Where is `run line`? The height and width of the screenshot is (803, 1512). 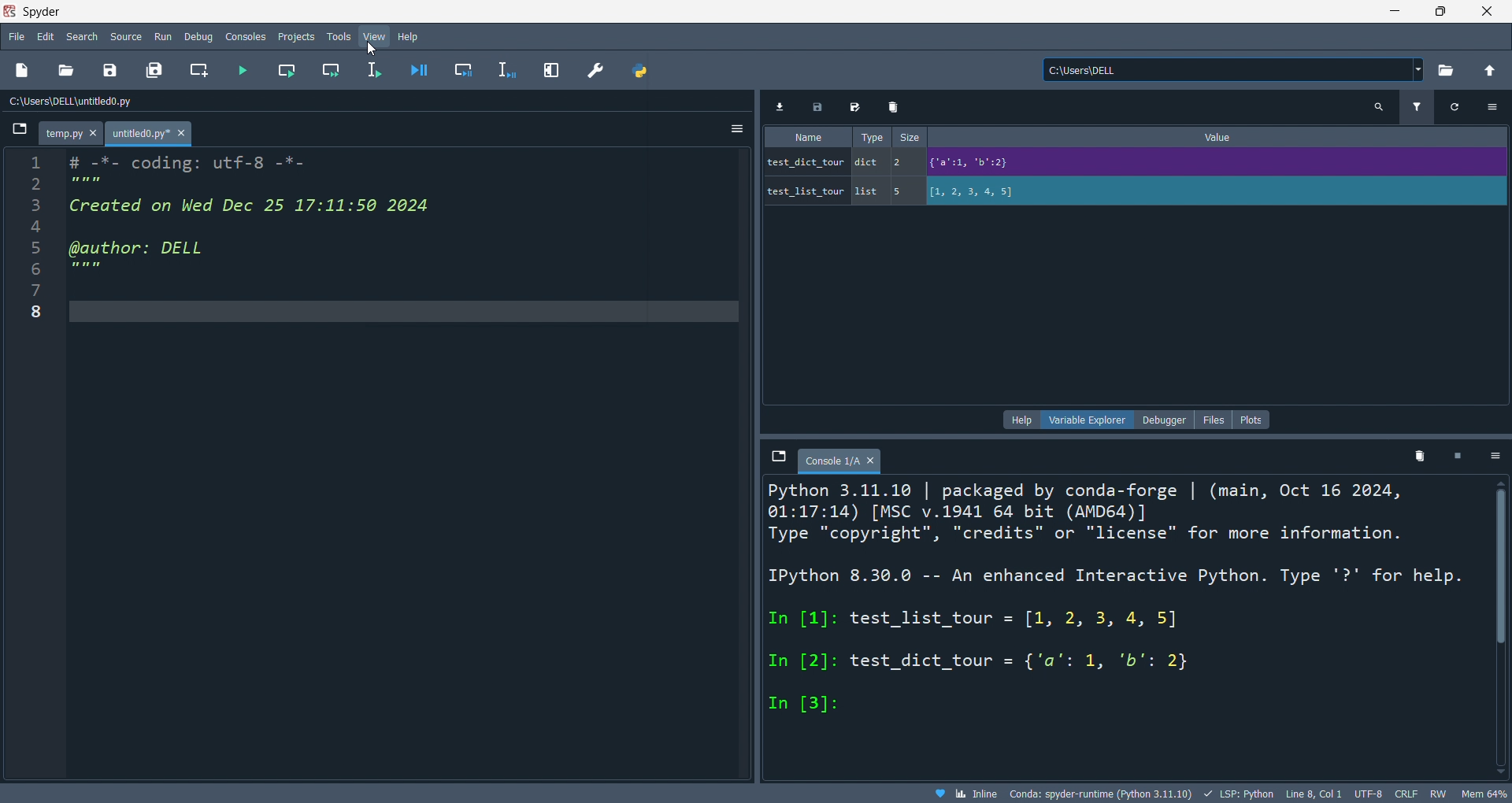 run line is located at coordinates (376, 72).